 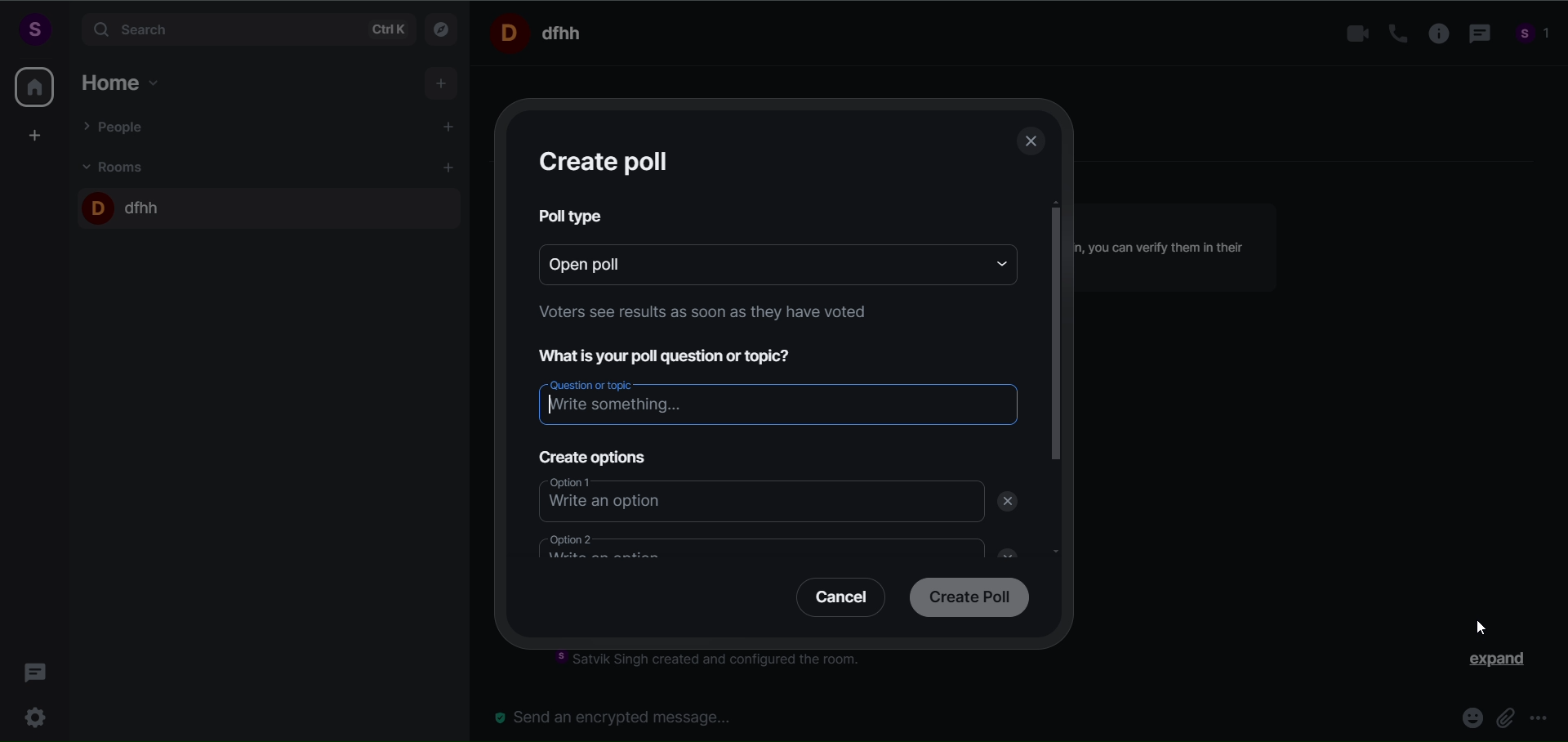 I want to click on attachment, so click(x=1505, y=717).